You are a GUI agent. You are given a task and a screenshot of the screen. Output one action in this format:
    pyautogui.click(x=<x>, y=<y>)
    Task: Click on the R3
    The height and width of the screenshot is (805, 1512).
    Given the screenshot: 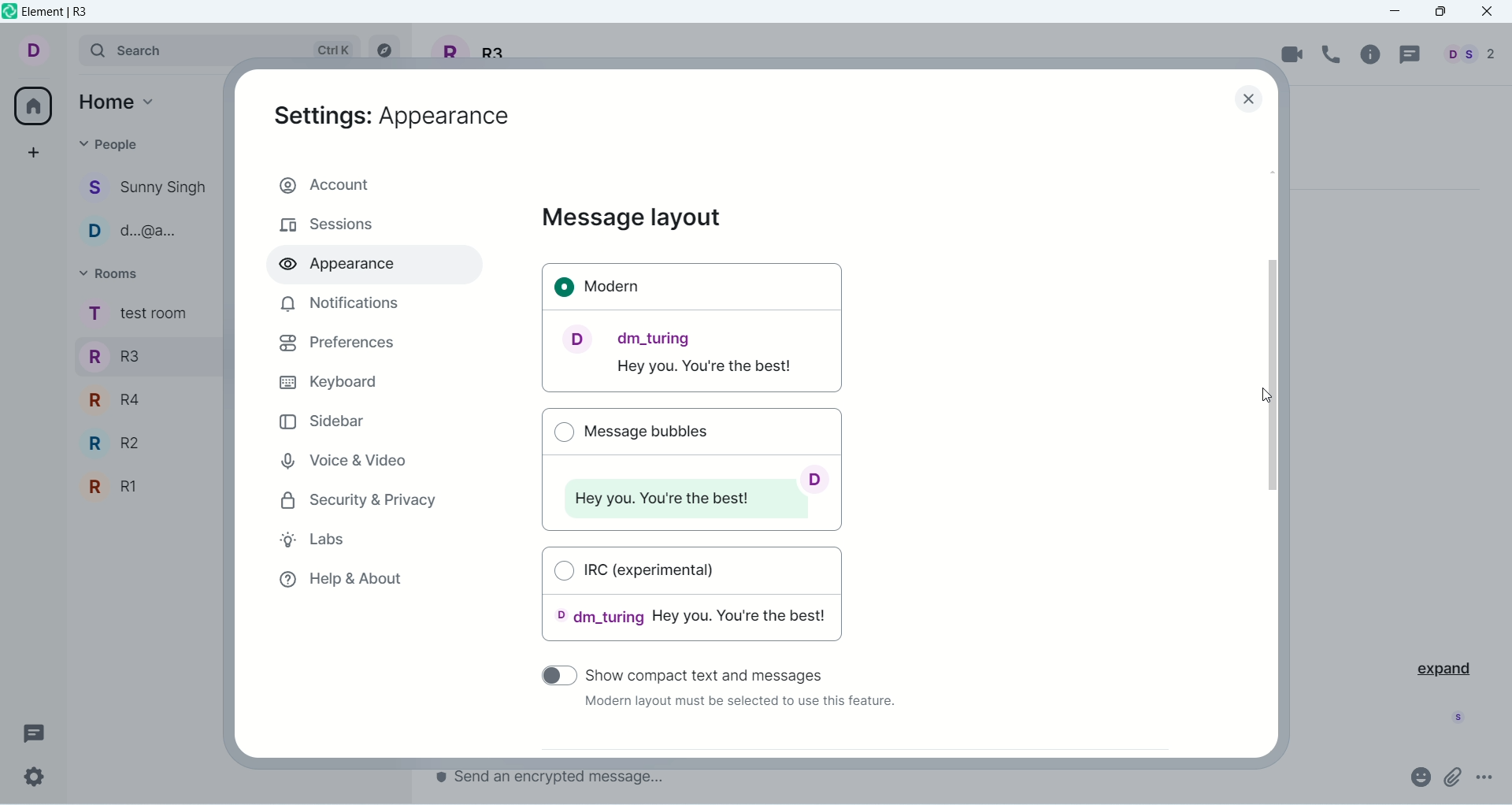 What is the action you would take?
    pyautogui.click(x=144, y=354)
    